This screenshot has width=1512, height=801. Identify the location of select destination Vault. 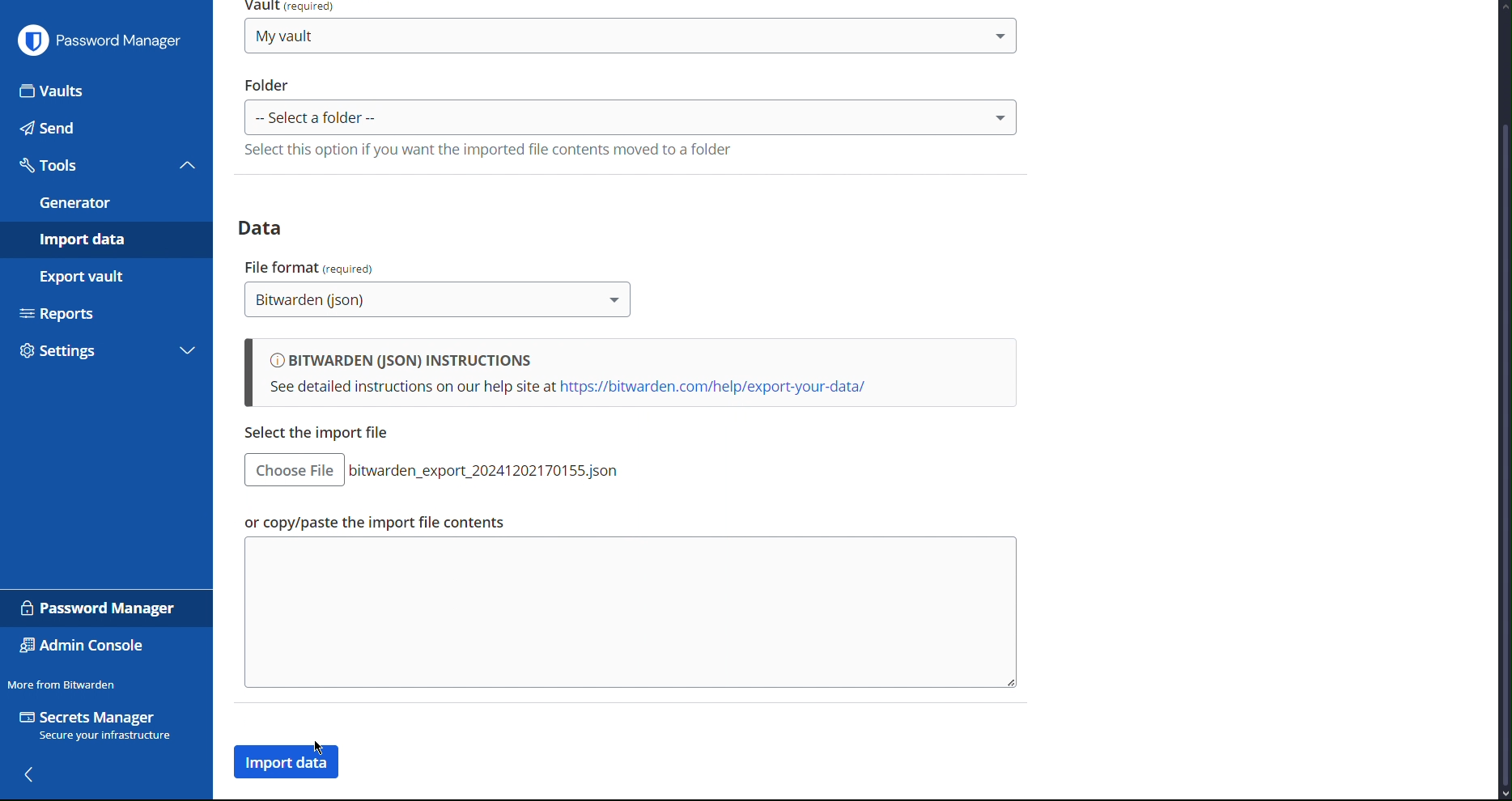
(631, 36).